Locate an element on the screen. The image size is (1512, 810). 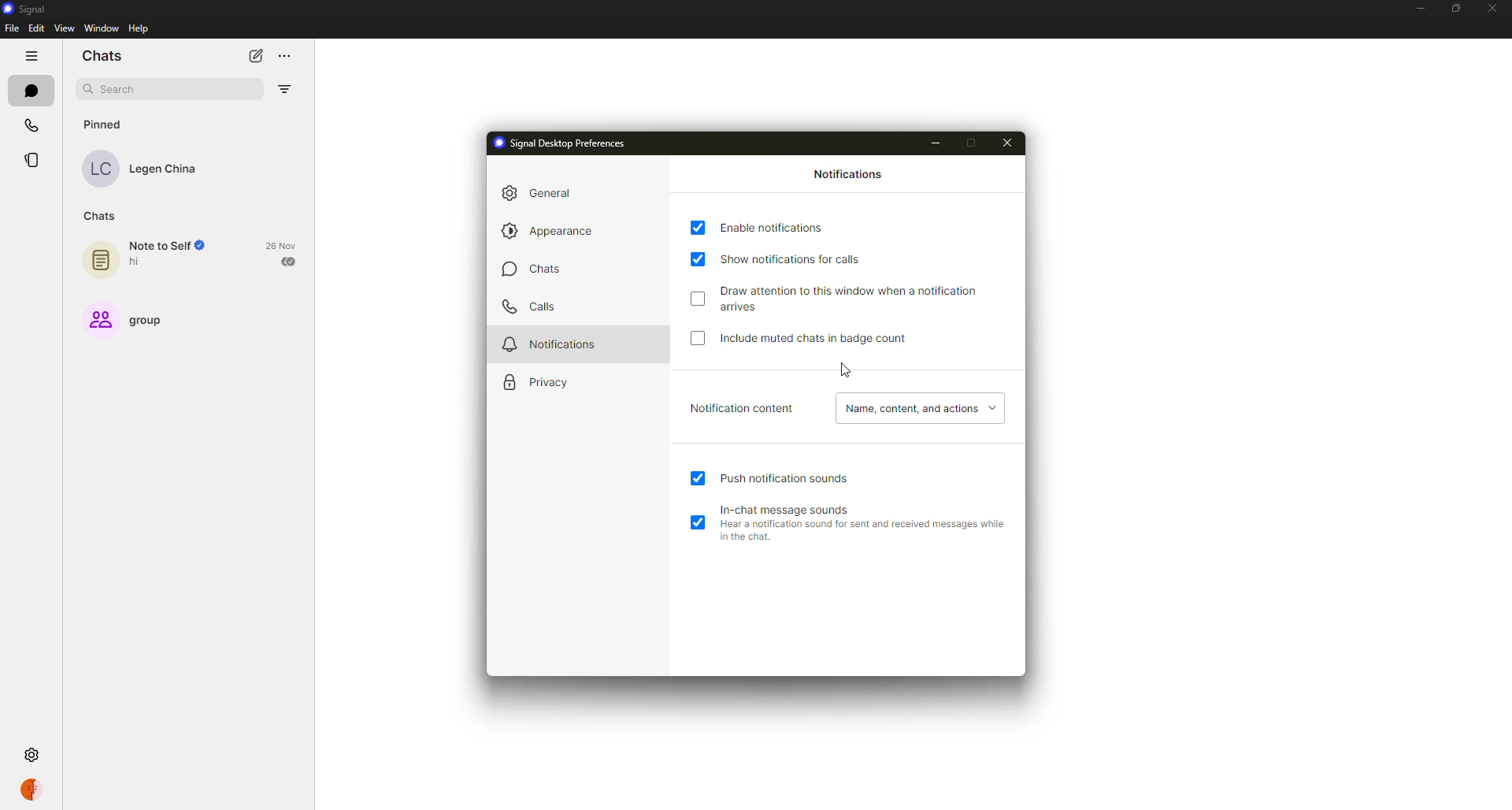
filter is located at coordinates (287, 86).